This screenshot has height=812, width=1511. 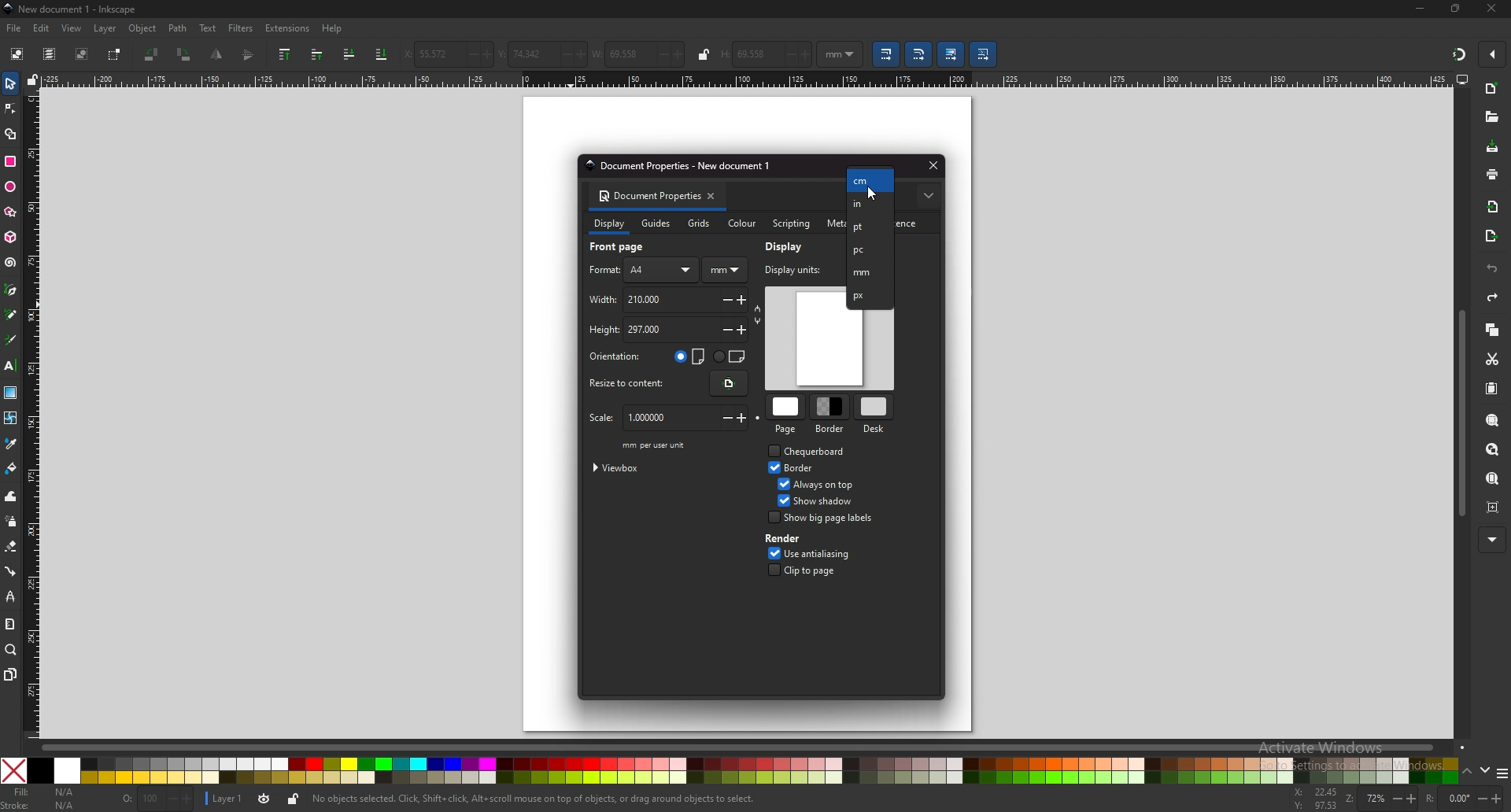 What do you see at coordinates (644, 418) in the screenshot?
I see `scale` at bounding box center [644, 418].